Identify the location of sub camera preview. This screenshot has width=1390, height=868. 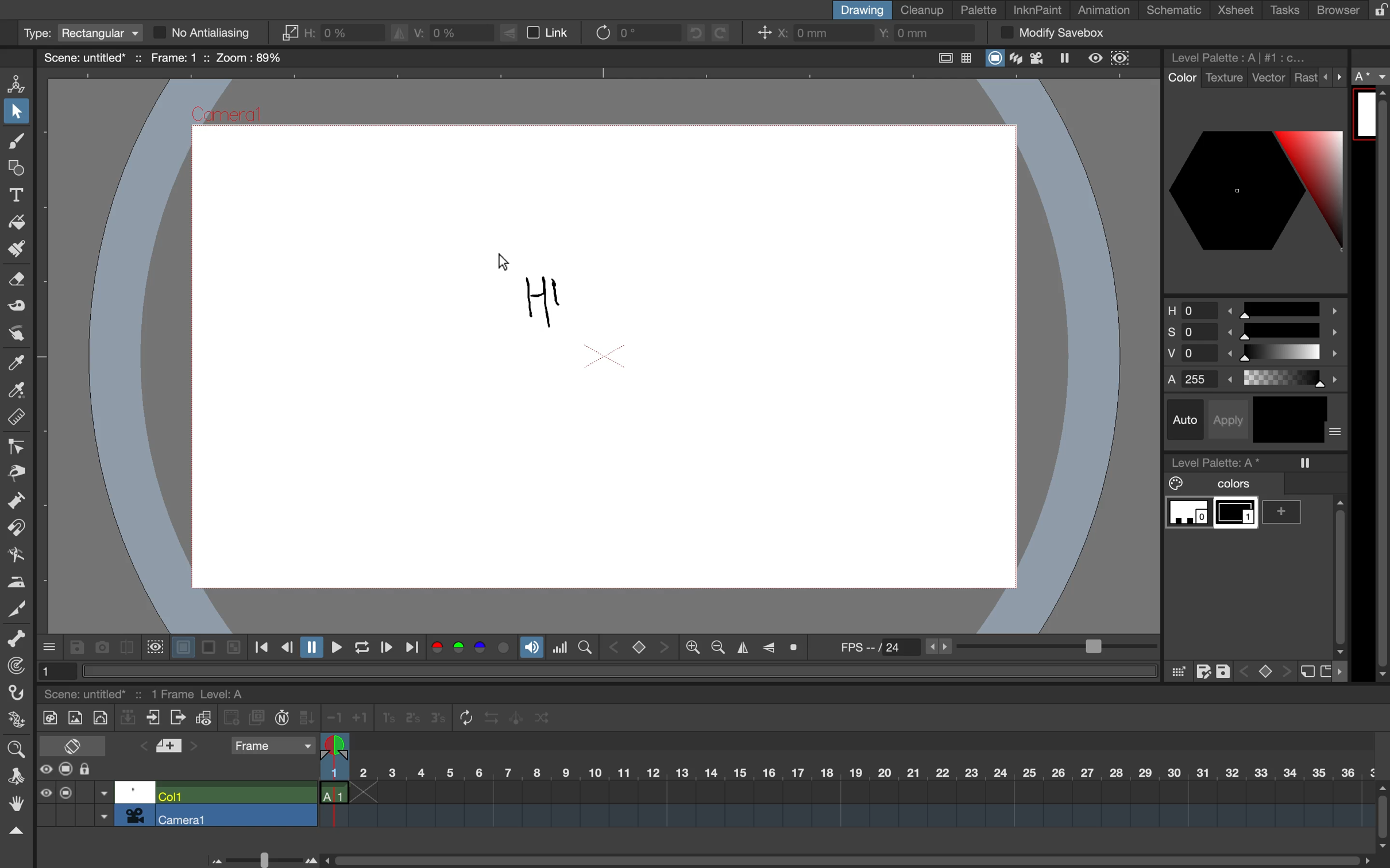
(1121, 59).